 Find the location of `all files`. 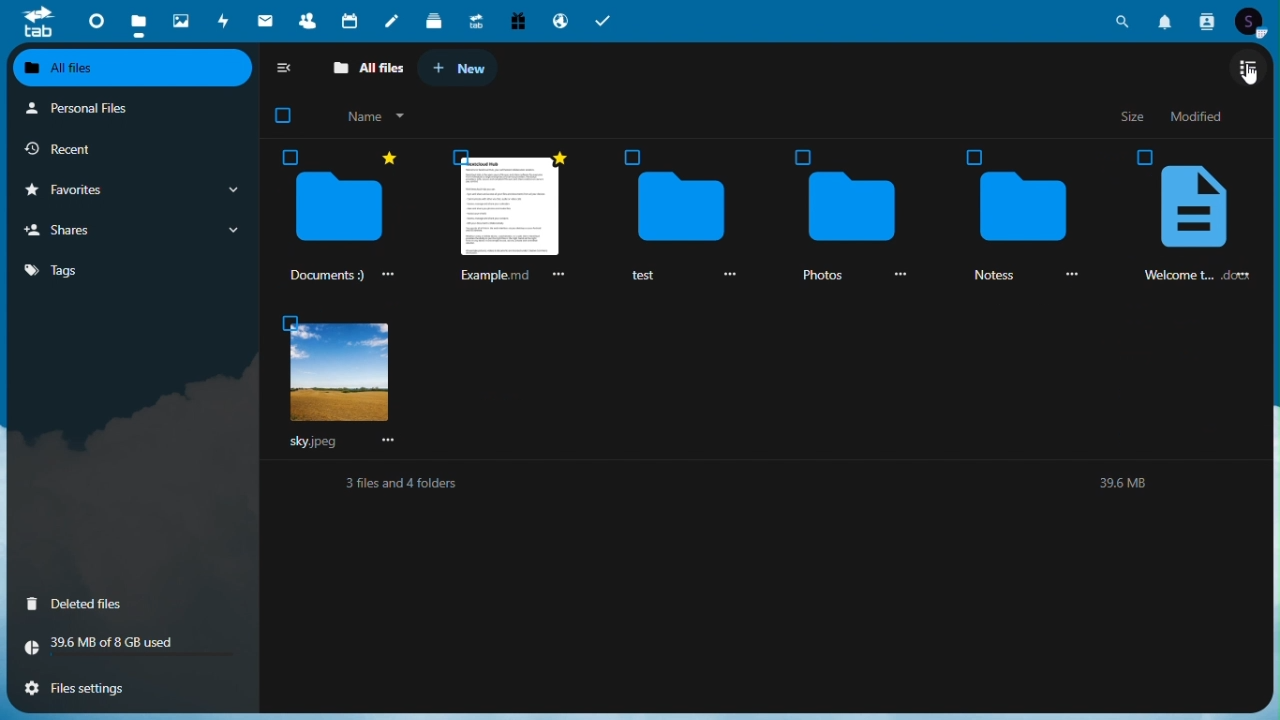

all files is located at coordinates (364, 66).